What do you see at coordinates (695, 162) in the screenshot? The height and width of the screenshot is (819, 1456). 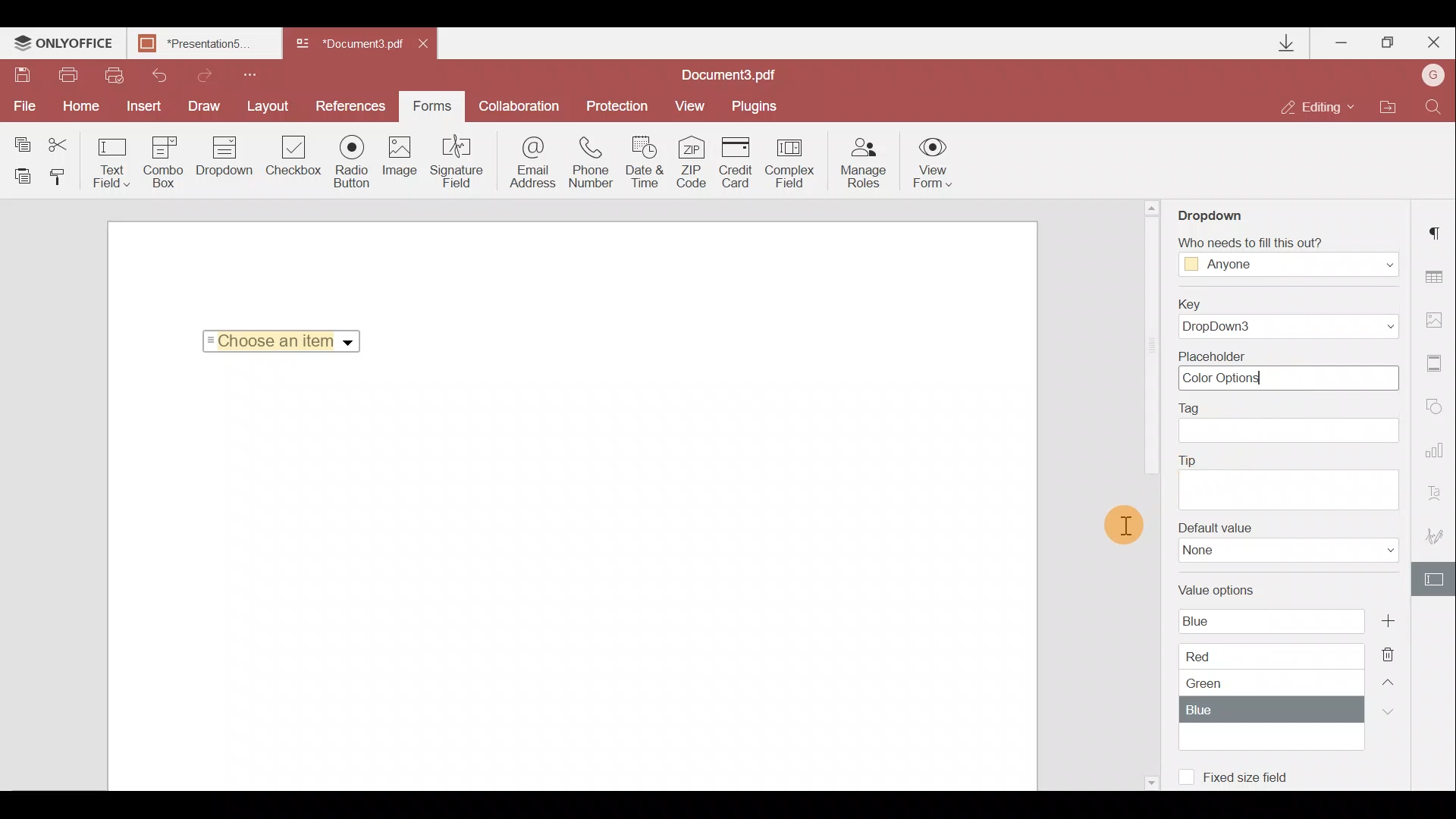 I see `ZIP code` at bounding box center [695, 162].